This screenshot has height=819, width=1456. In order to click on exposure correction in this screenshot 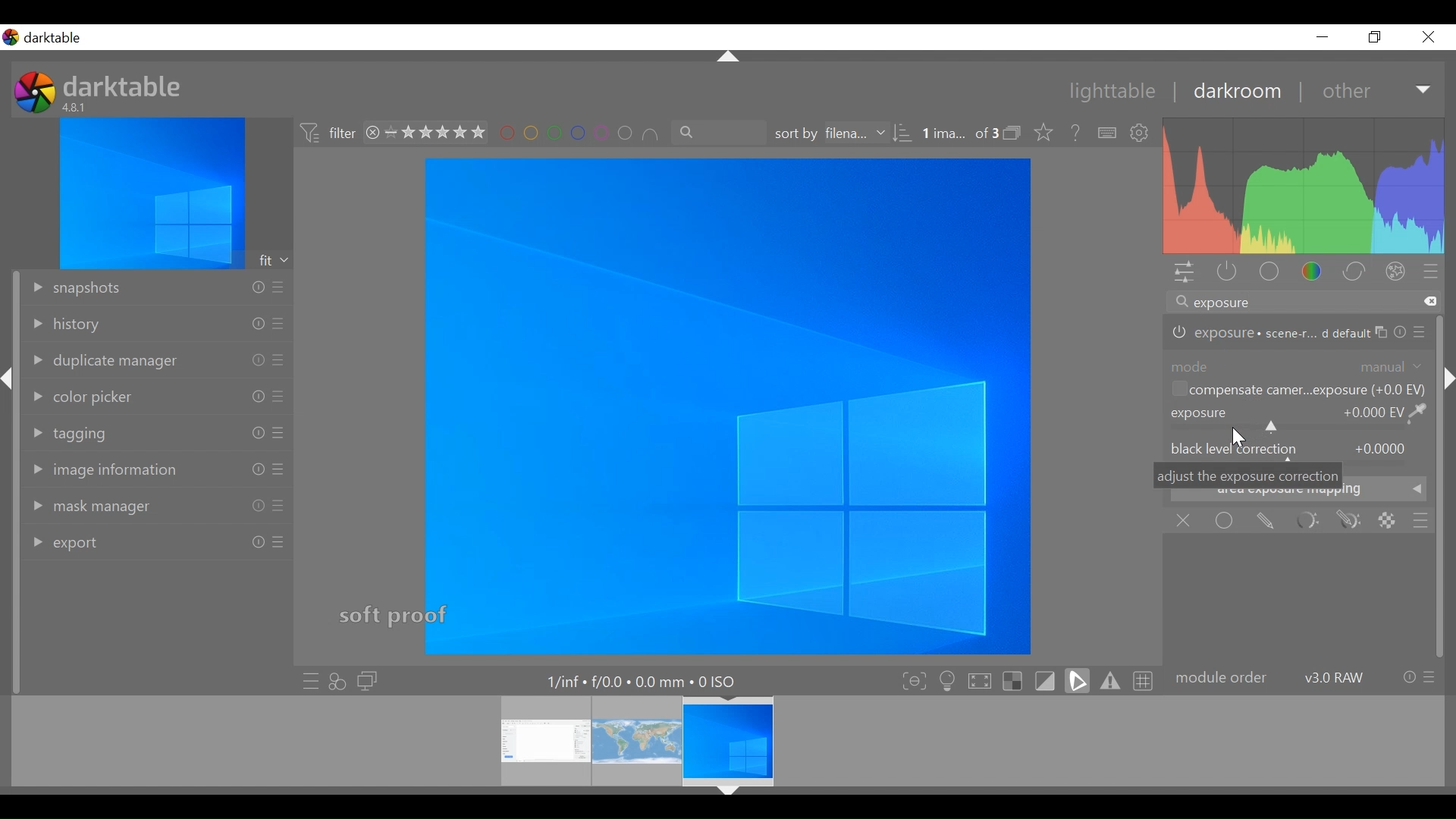, I will do `click(1197, 413)`.